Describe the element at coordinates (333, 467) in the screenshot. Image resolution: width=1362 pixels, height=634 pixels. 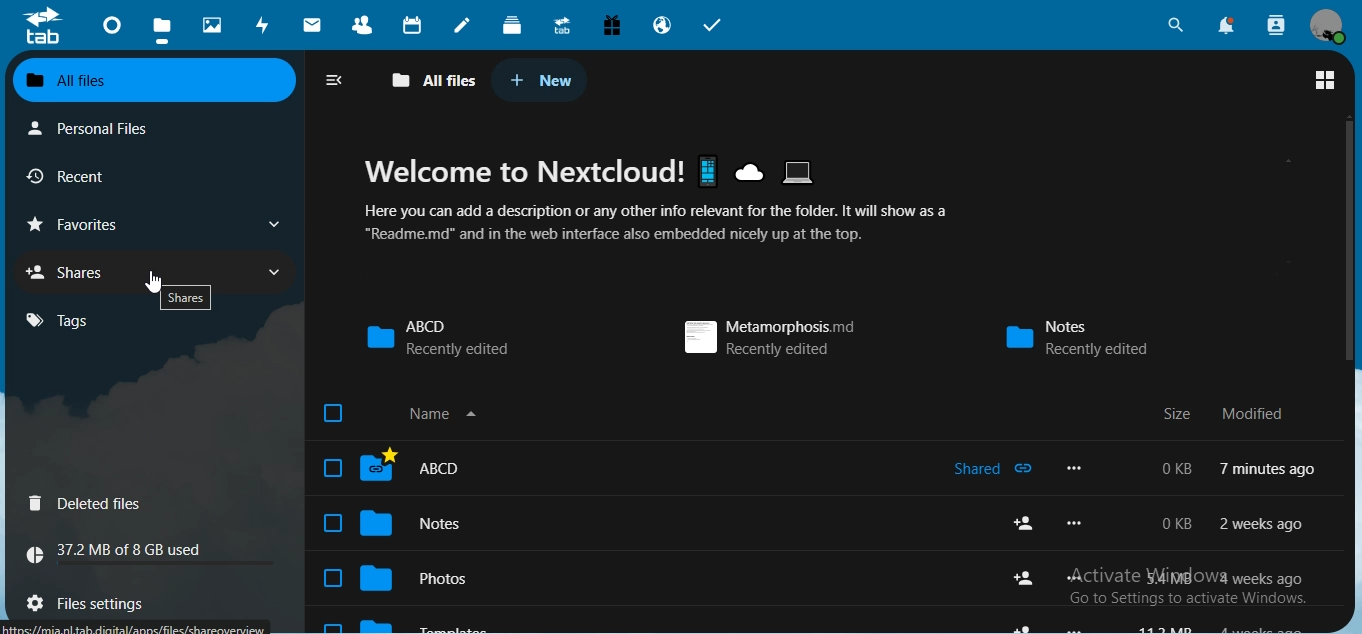
I see `check box` at that location.